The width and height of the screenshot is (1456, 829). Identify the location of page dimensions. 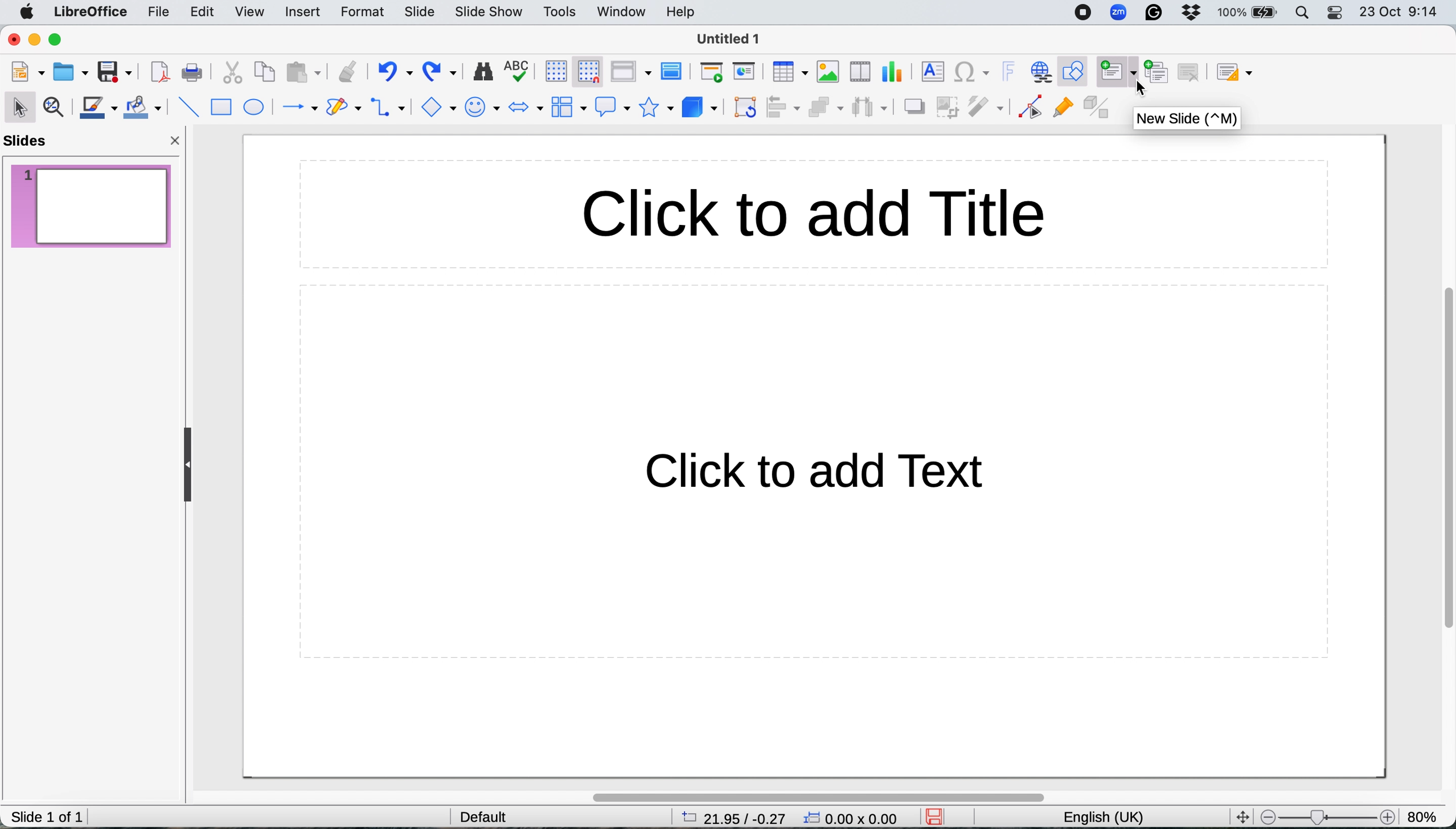
(729, 818).